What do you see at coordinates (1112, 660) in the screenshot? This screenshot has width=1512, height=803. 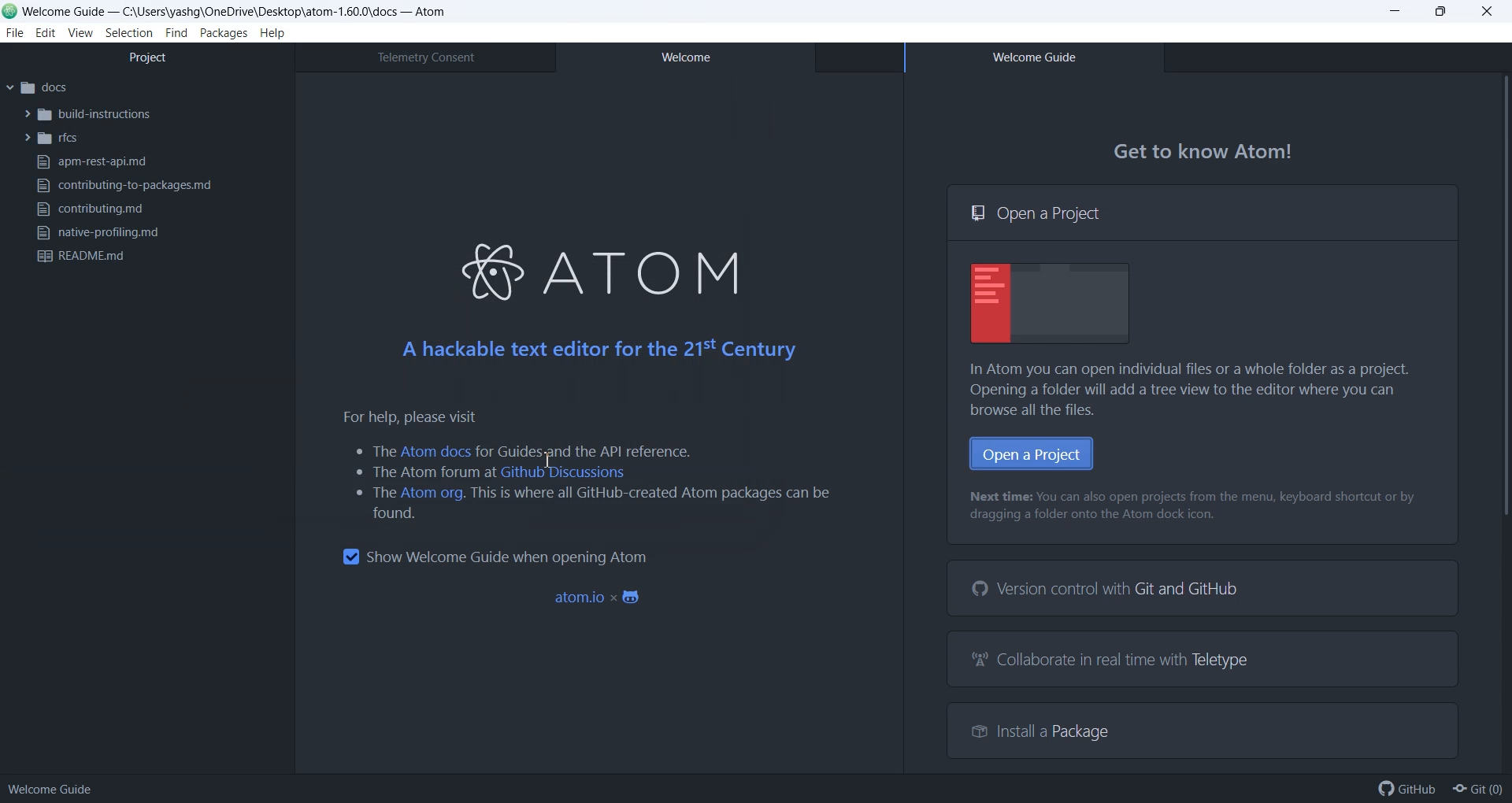 I see `Collaborate in real time with Teletype` at bounding box center [1112, 660].